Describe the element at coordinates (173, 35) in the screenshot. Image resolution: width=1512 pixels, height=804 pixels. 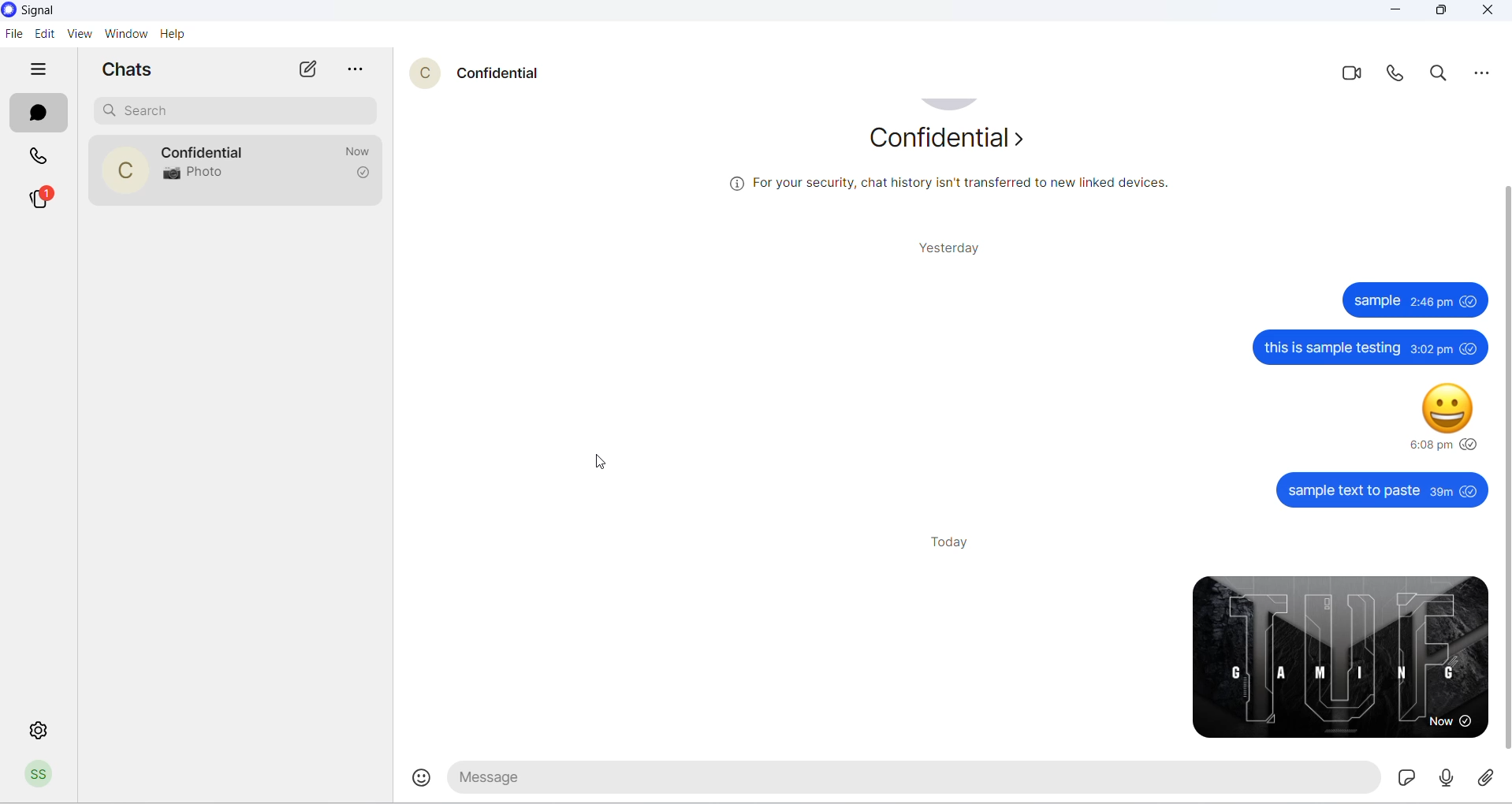
I see `Help` at that location.